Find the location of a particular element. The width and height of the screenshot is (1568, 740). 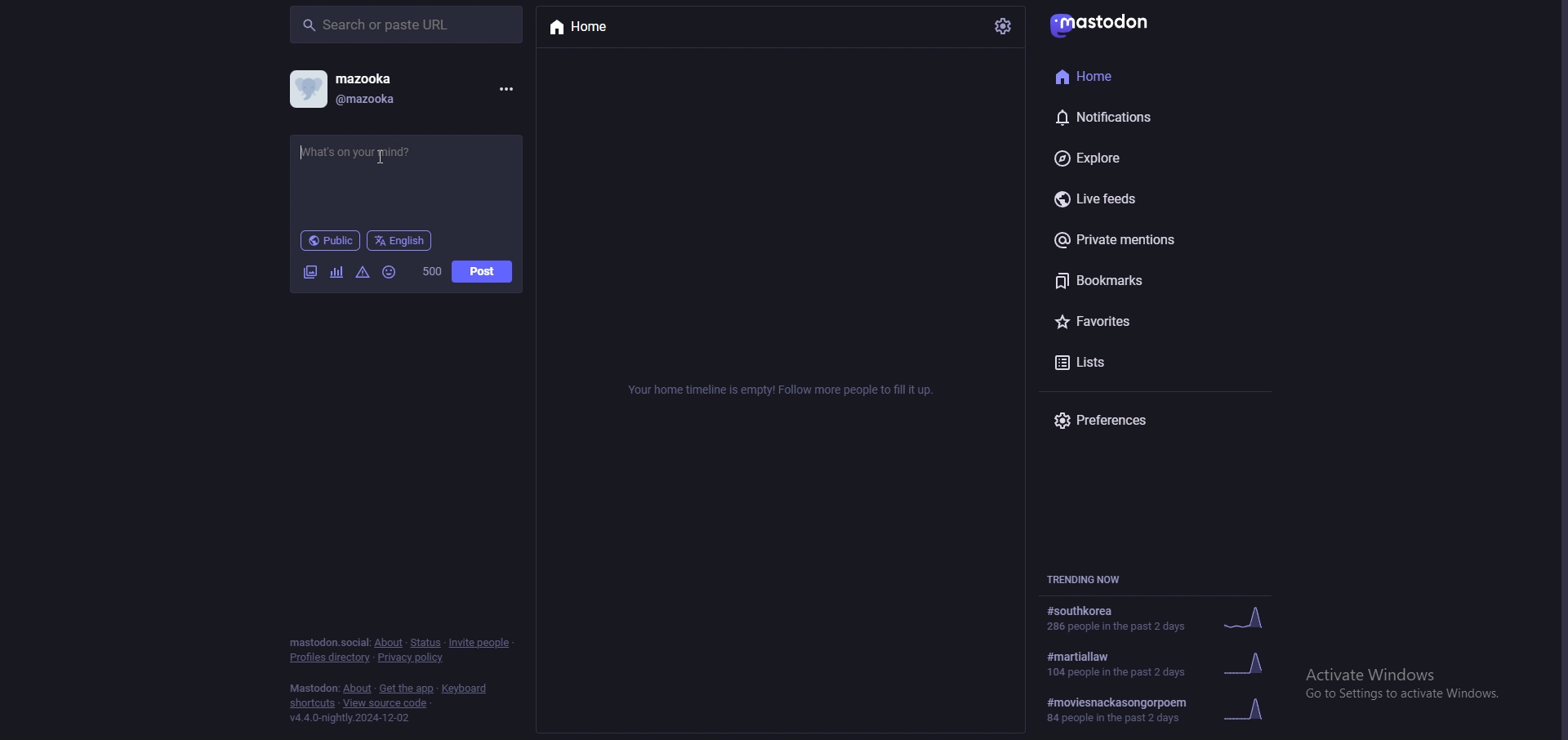

post is located at coordinates (483, 271).